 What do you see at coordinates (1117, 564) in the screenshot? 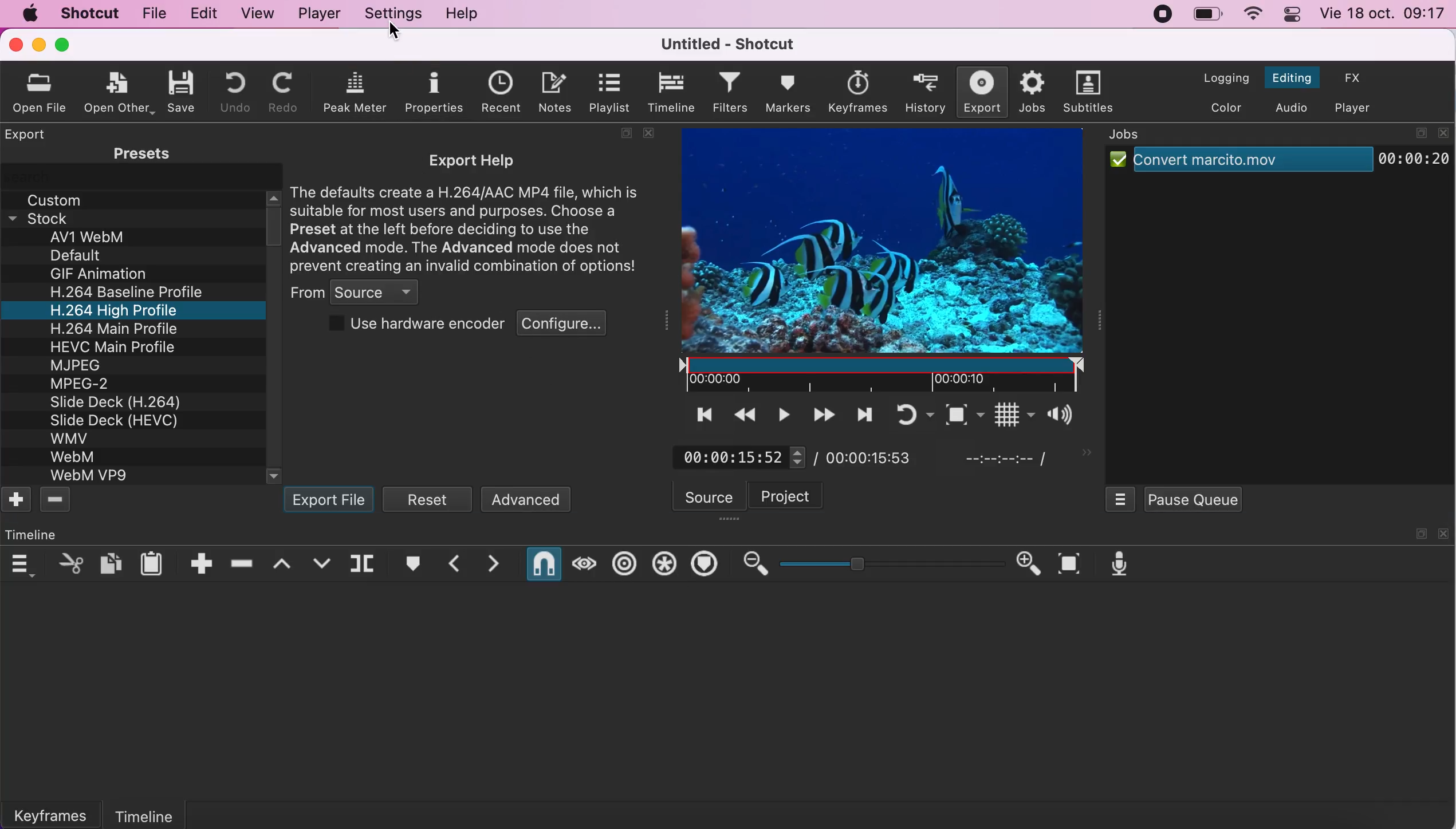
I see `record audio` at bounding box center [1117, 564].